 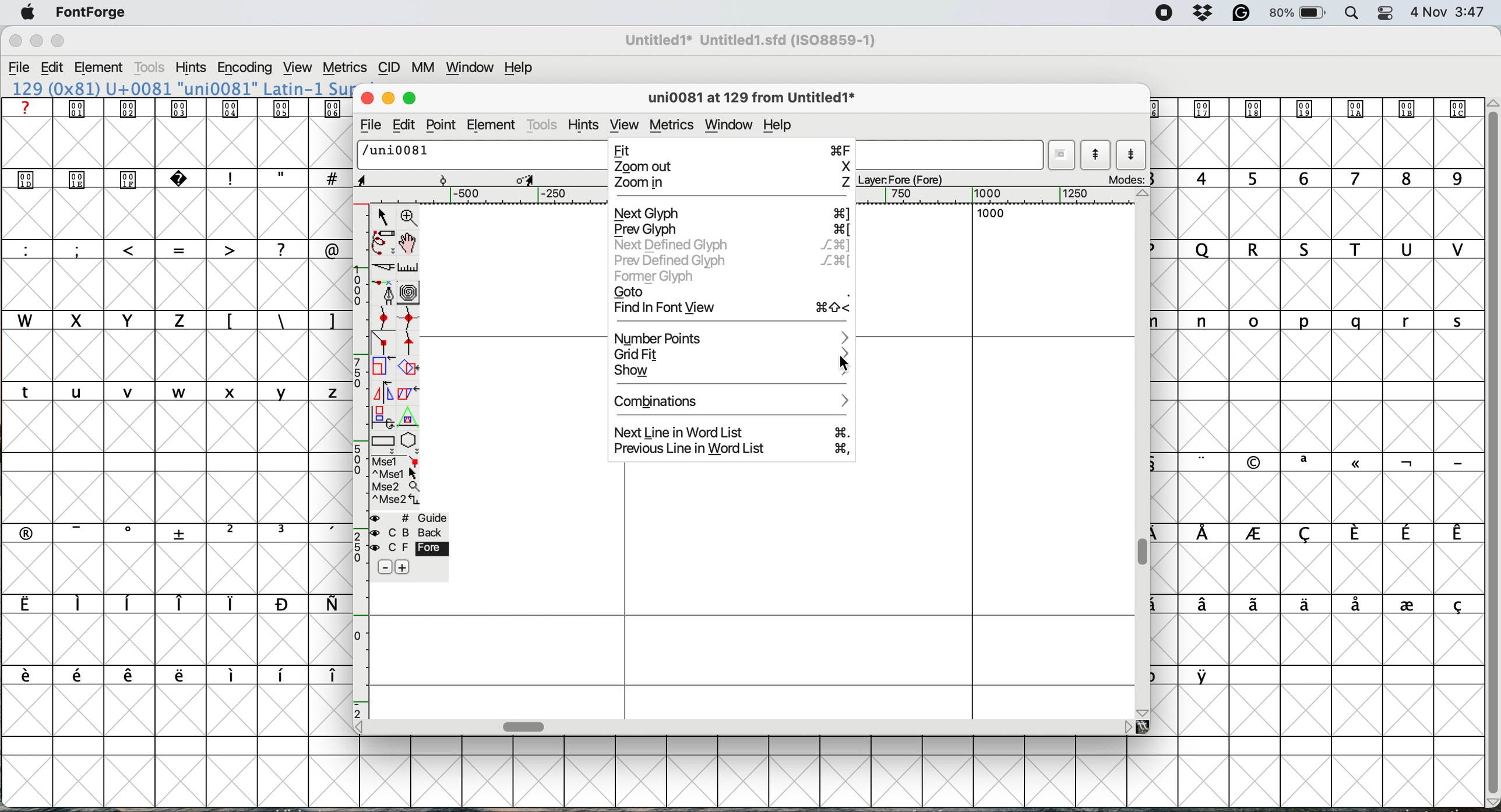 I want to click on Dropbox Status Icon, so click(x=1204, y=13).